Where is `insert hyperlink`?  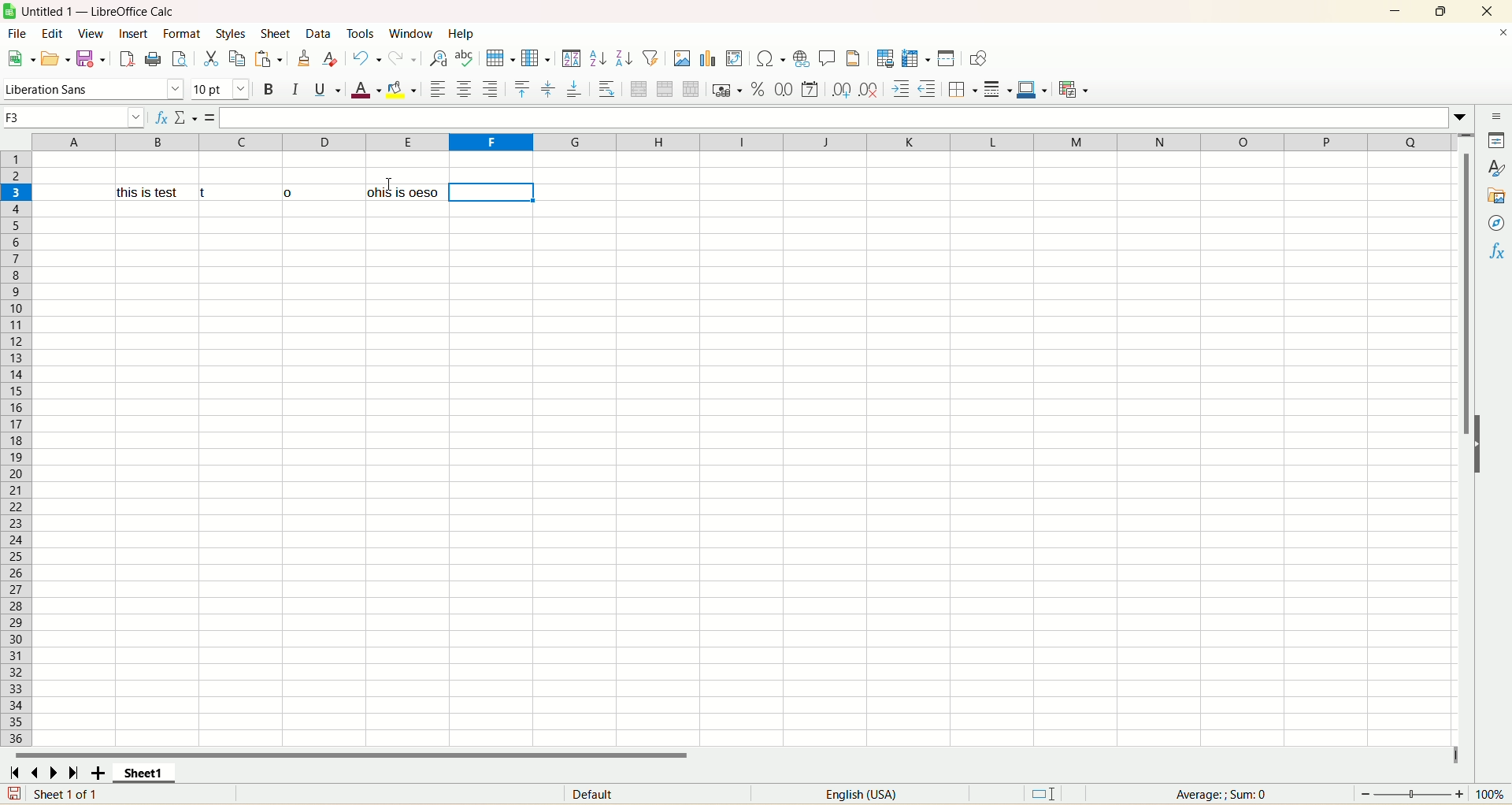
insert hyperlink is located at coordinates (801, 58).